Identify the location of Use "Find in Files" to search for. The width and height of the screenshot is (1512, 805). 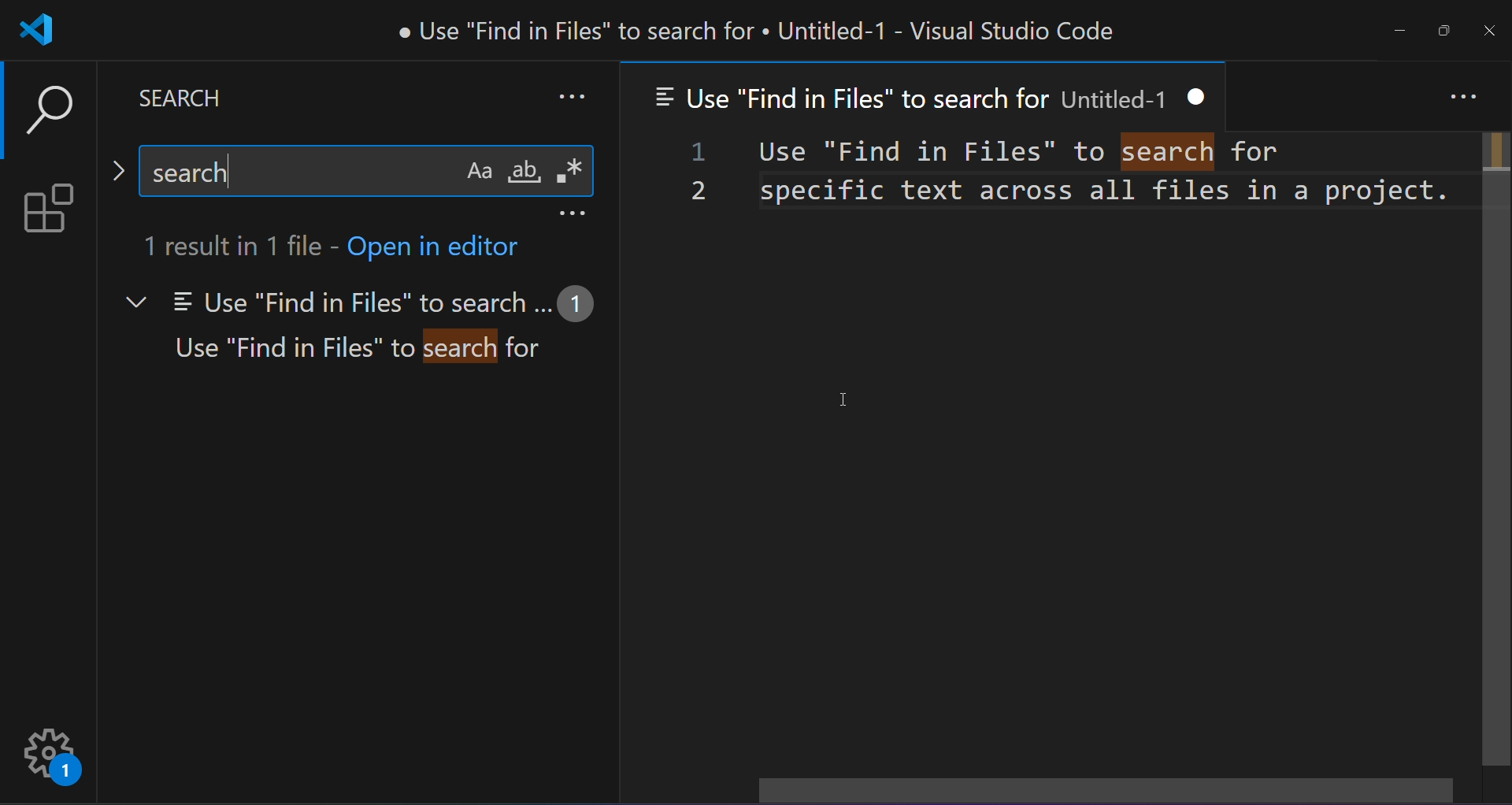
(850, 98).